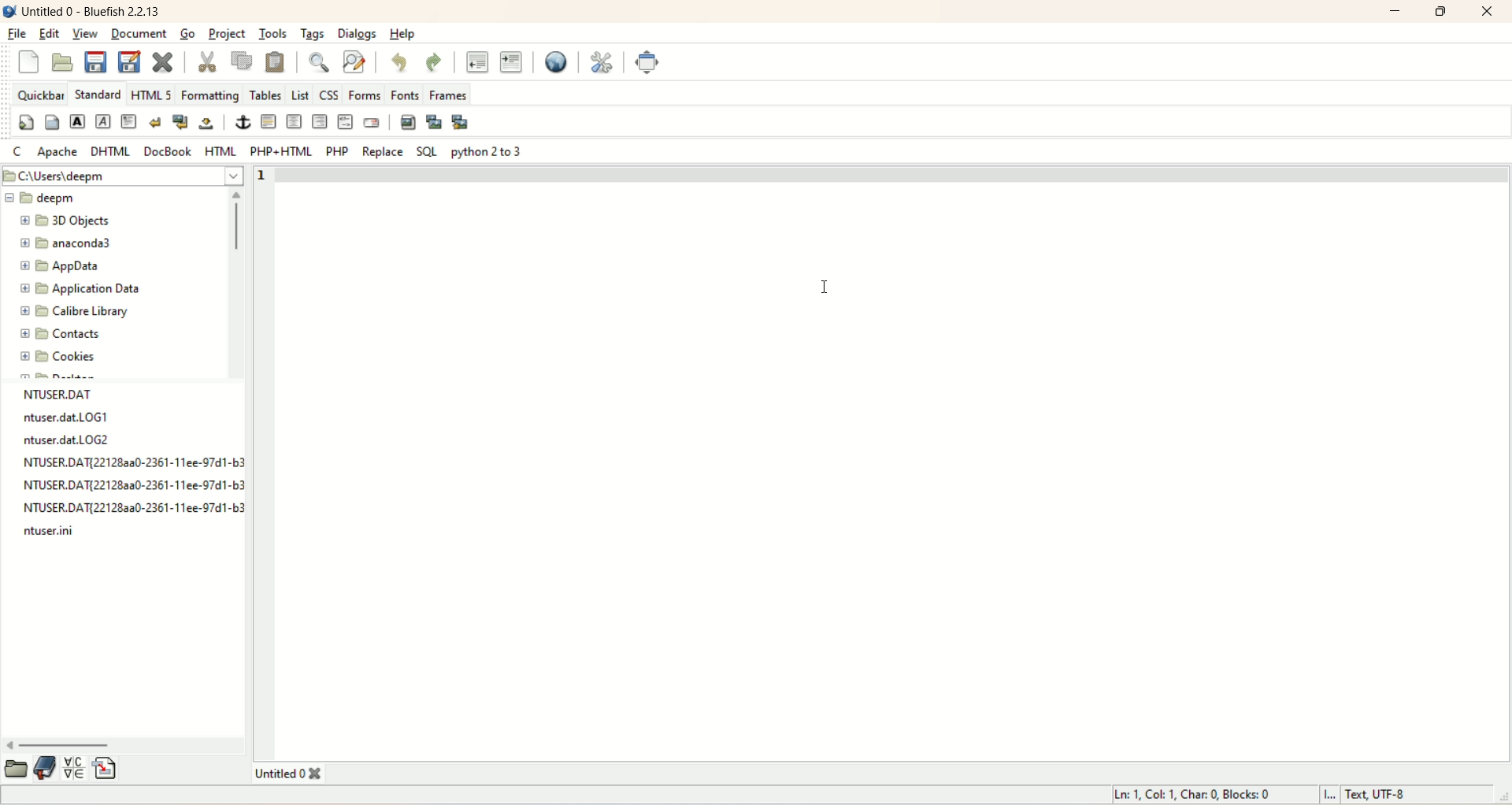 The width and height of the screenshot is (1512, 805). What do you see at coordinates (9, 11) in the screenshot?
I see `logo` at bounding box center [9, 11].